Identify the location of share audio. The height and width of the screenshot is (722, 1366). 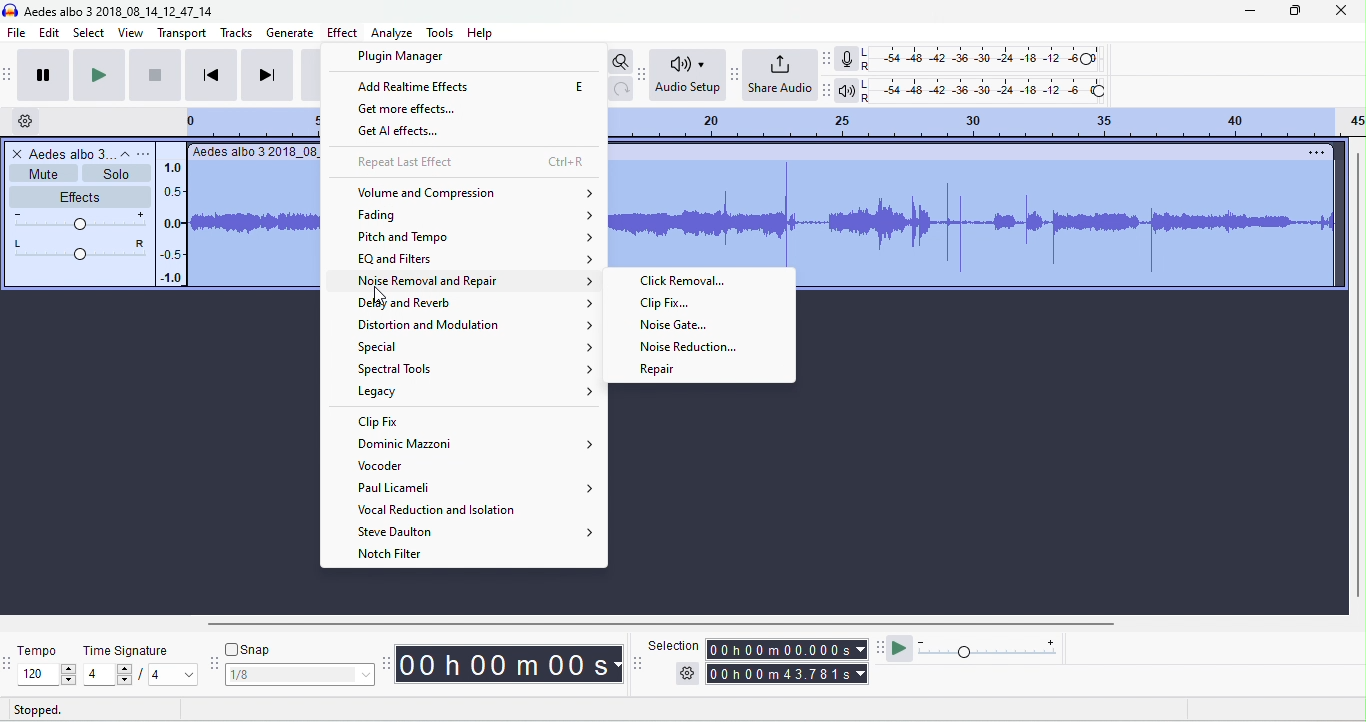
(780, 75).